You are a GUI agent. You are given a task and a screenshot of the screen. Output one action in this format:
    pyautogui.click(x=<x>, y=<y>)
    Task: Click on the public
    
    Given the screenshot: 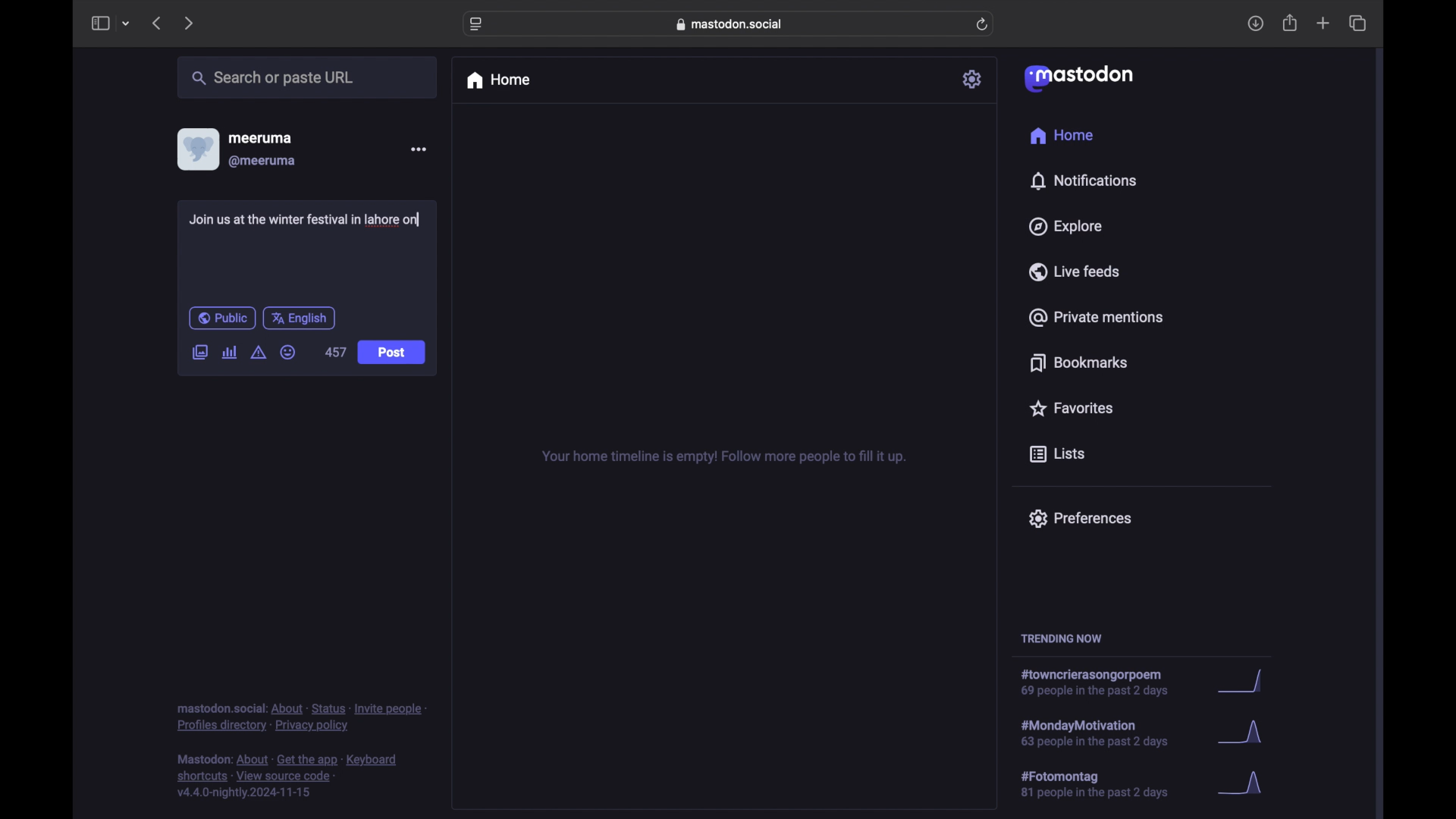 What is the action you would take?
    pyautogui.click(x=221, y=318)
    